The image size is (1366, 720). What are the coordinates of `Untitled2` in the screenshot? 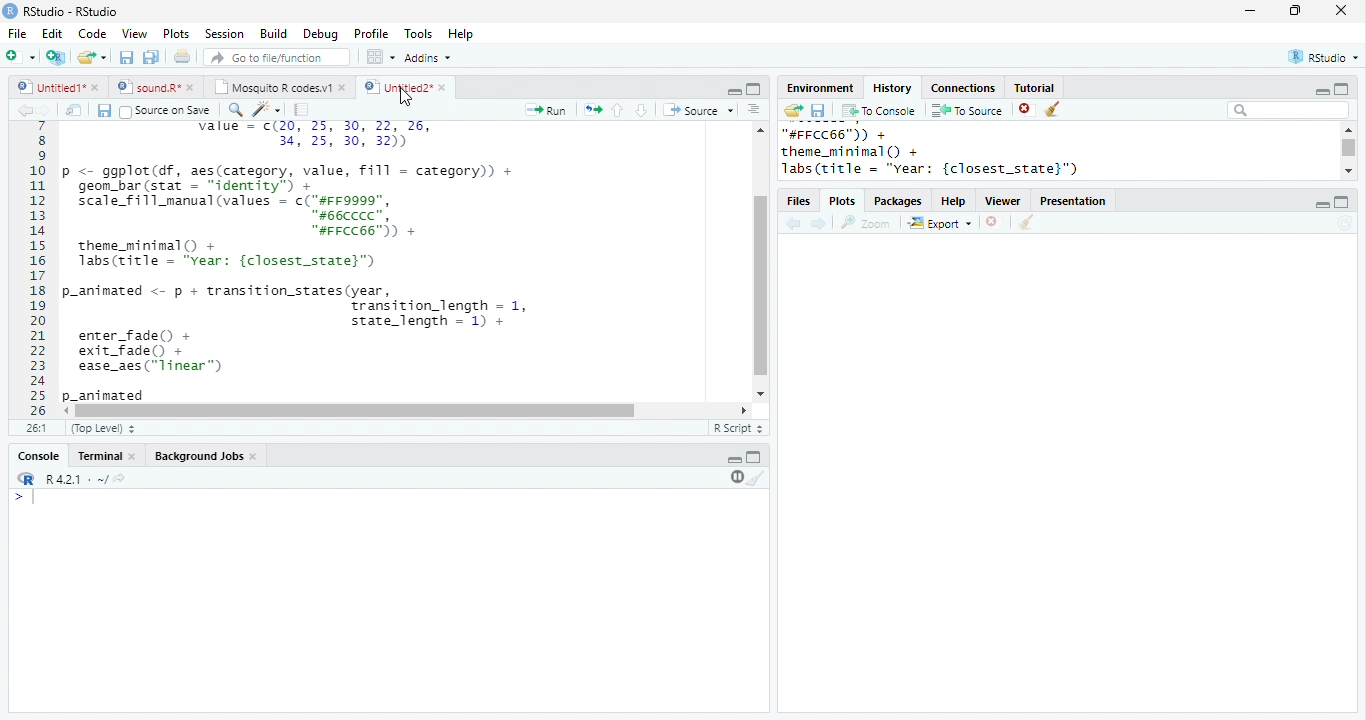 It's located at (396, 87).